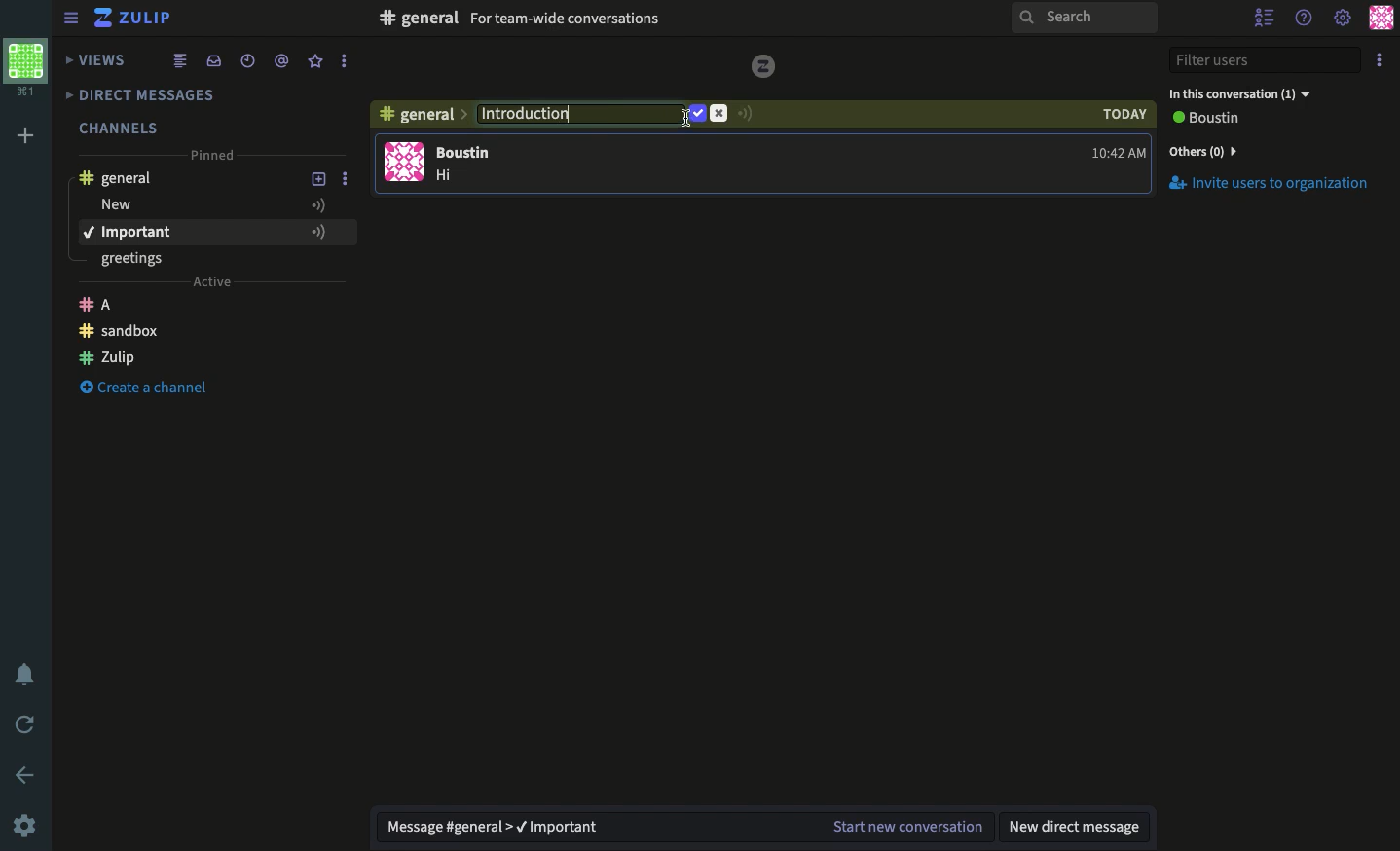  Describe the element at coordinates (574, 116) in the screenshot. I see `intorduction` at that location.